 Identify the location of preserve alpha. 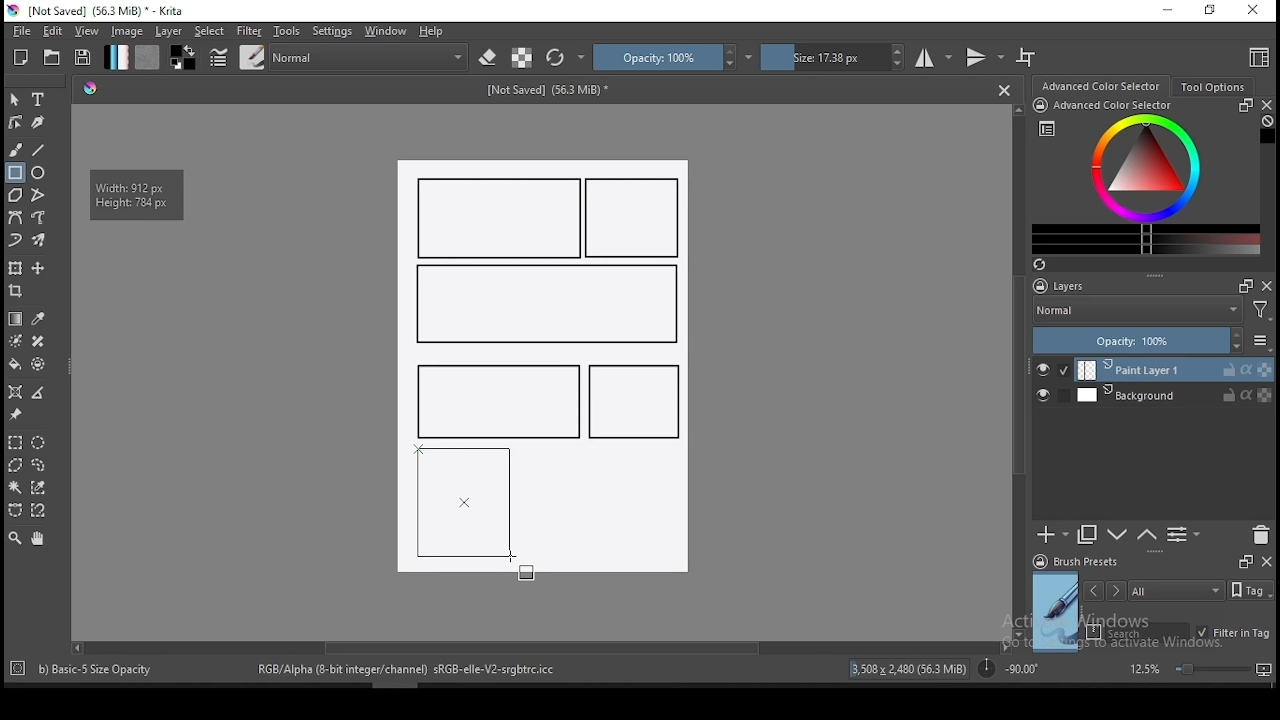
(522, 59).